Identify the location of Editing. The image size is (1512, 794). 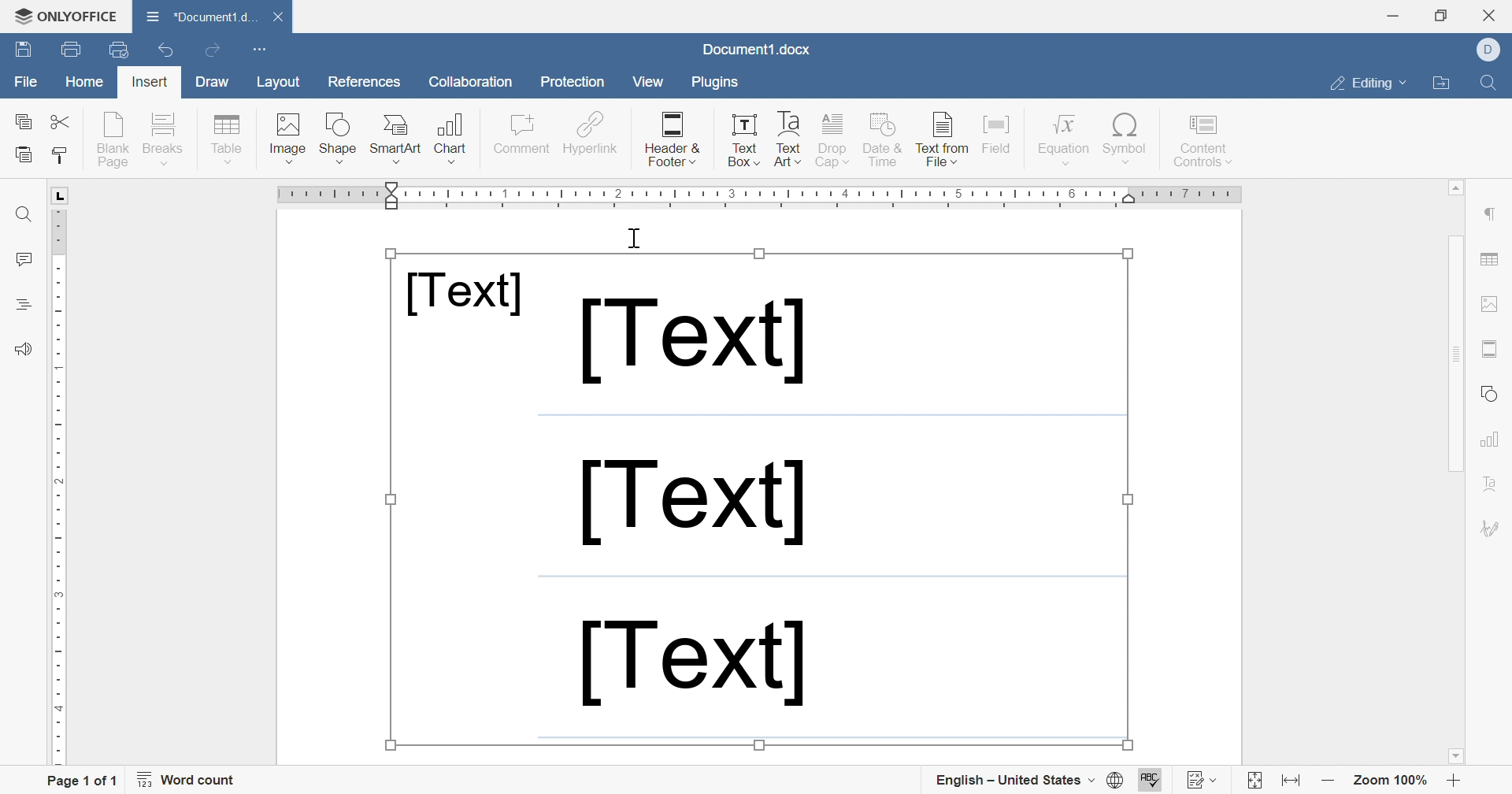
(1366, 84).